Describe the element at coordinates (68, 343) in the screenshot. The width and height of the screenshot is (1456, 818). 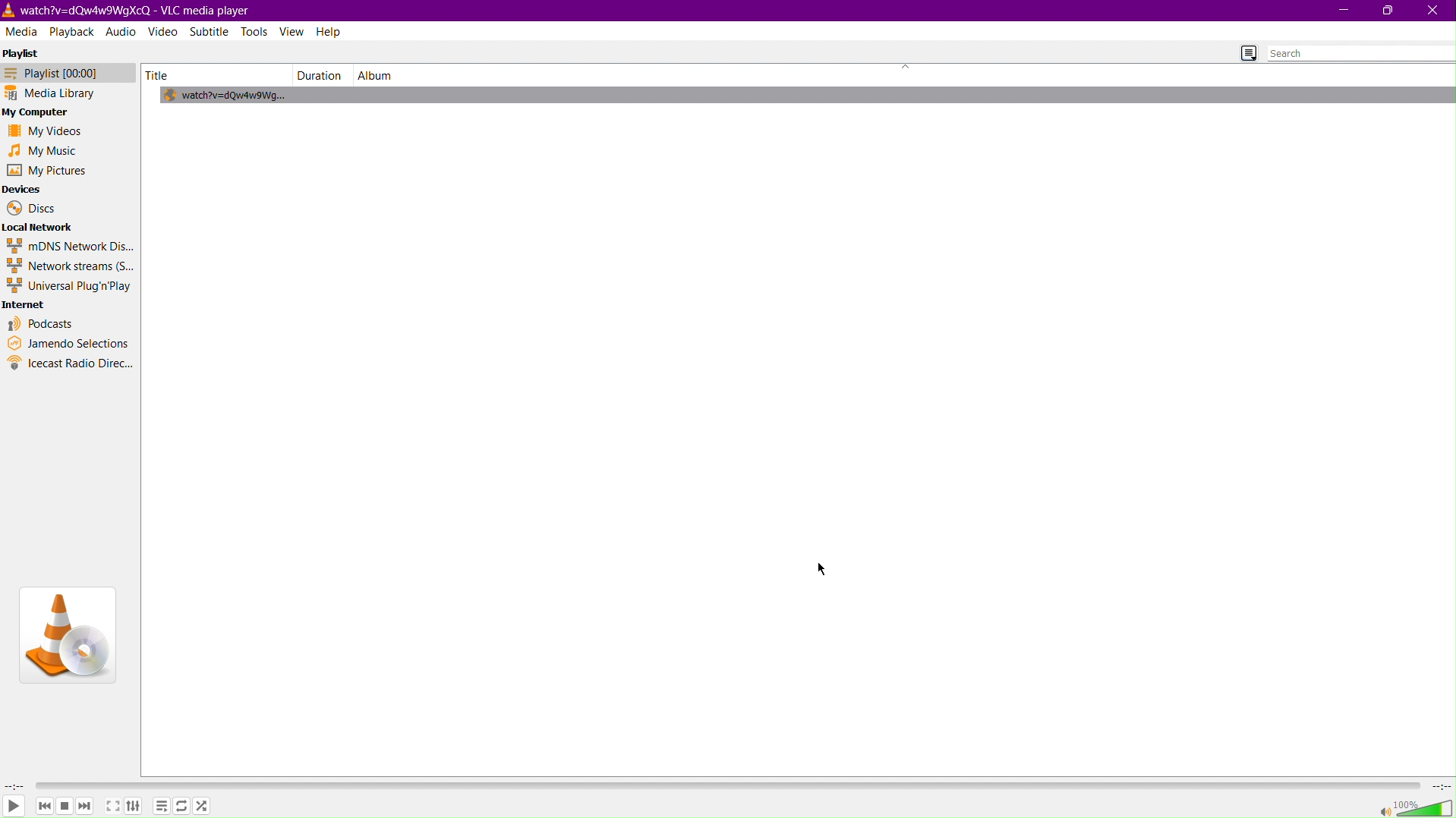
I see `Jamenda Selections` at that location.